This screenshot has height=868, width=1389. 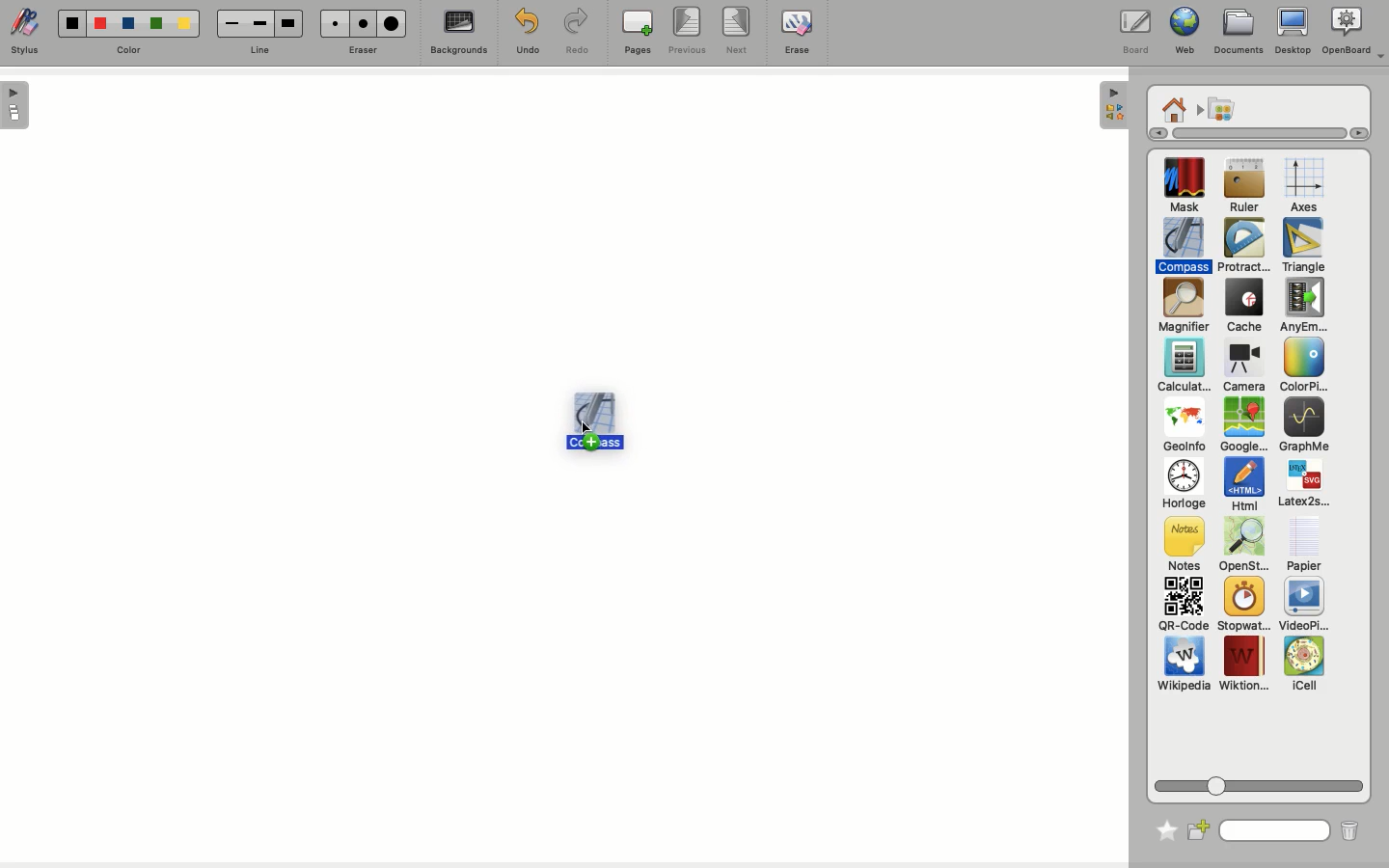 What do you see at coordinates (1301, 246) in the screenshot?
I see `Triangle` at bounding box center [1301, 246].